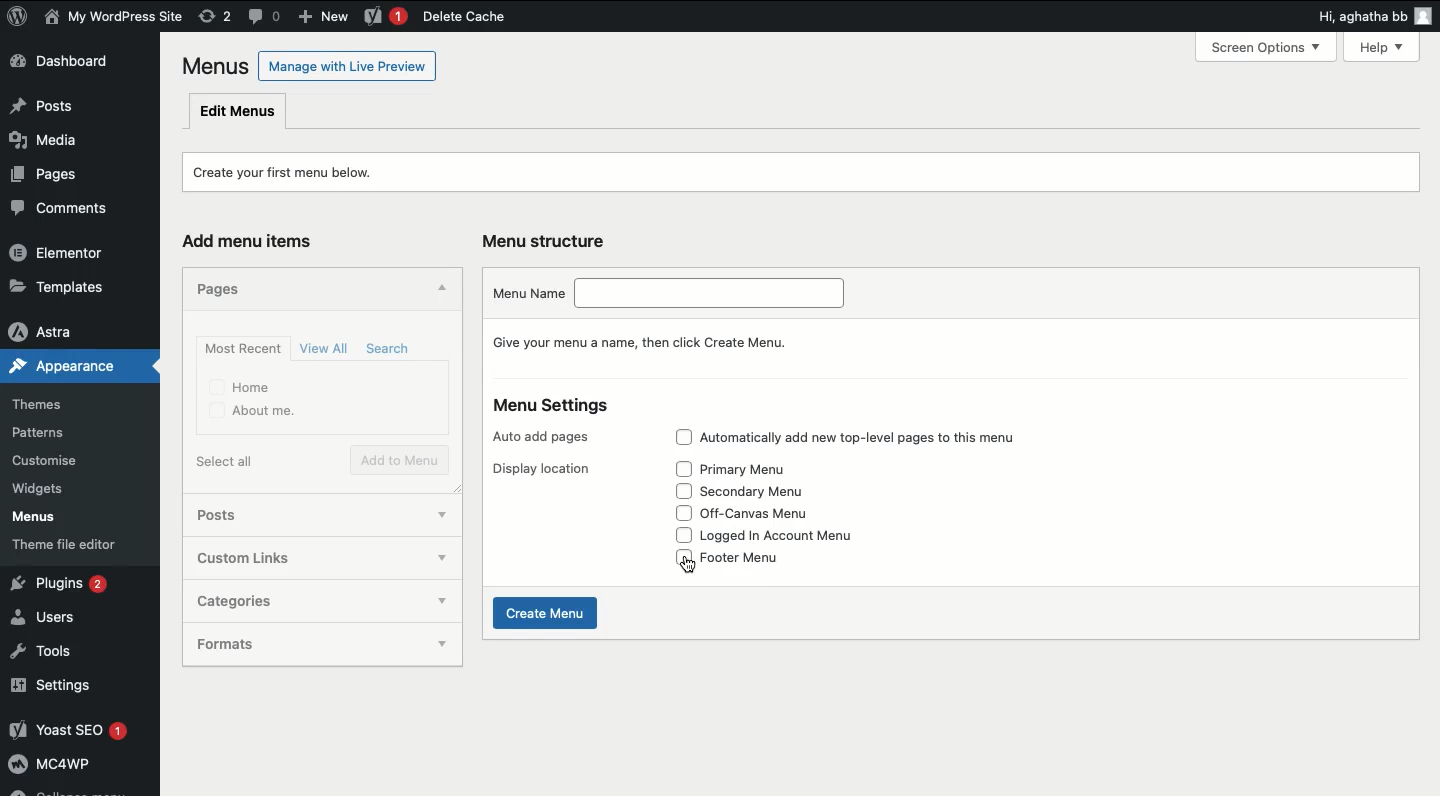 The width and height of the screenshot is (1440, 796). I want to click on Themes, so click(50, 401).